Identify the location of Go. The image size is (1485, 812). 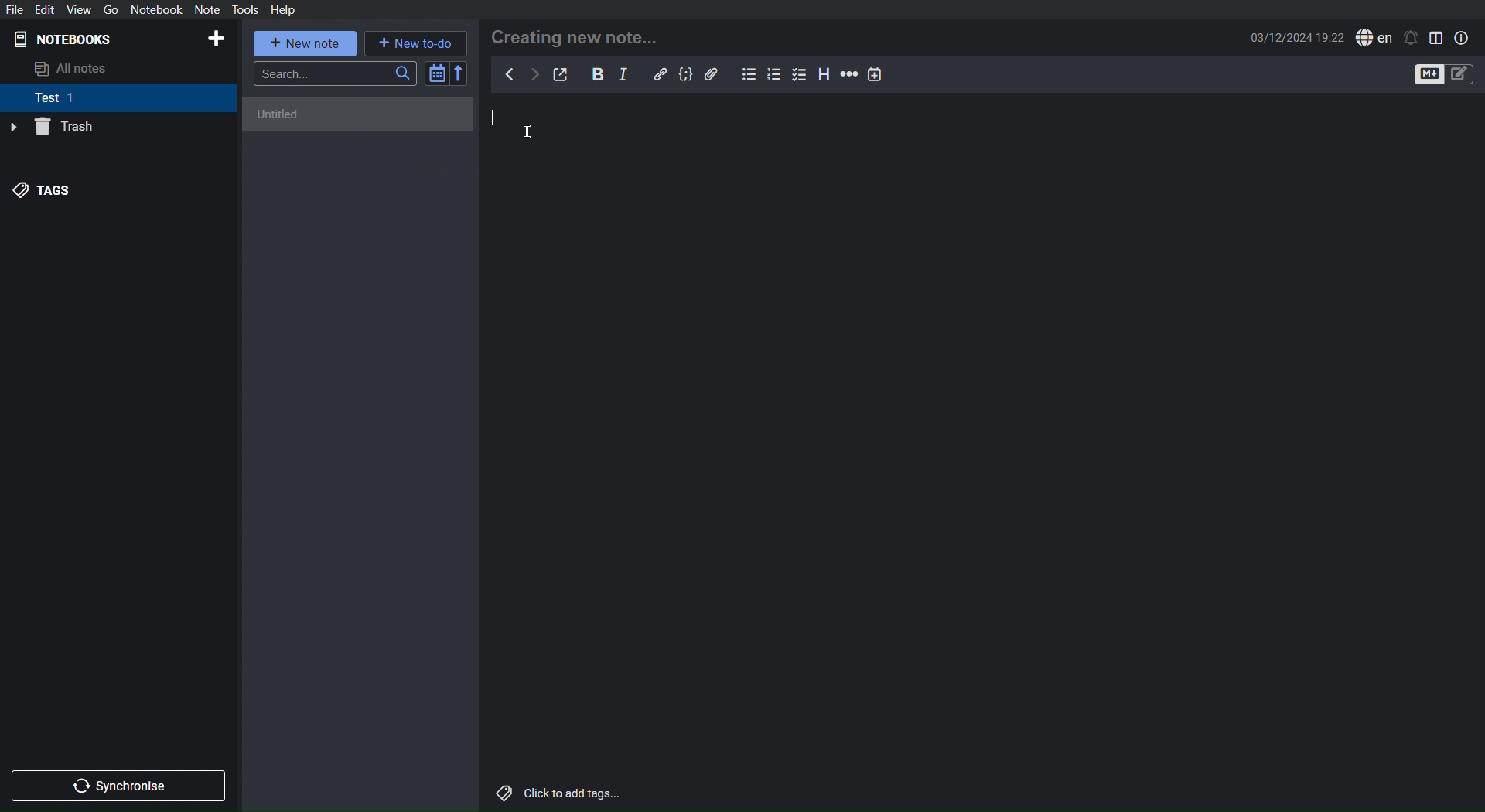
(110, 10).